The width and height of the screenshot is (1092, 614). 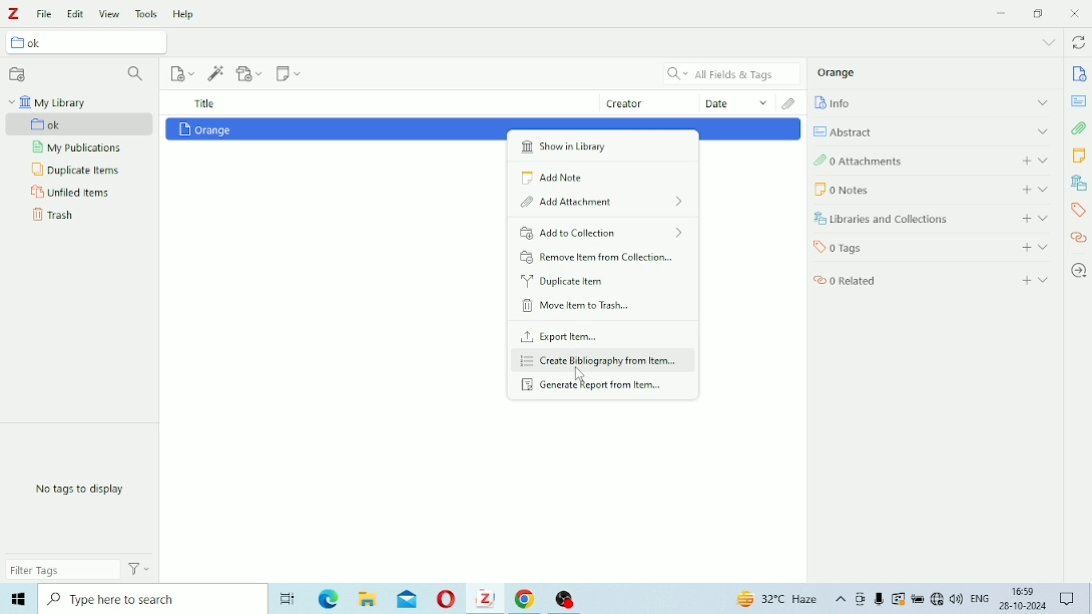 What do you see at coordinates (931, 131) in the screenshot?
I see `Abstract` at bounding box center [931, 131].